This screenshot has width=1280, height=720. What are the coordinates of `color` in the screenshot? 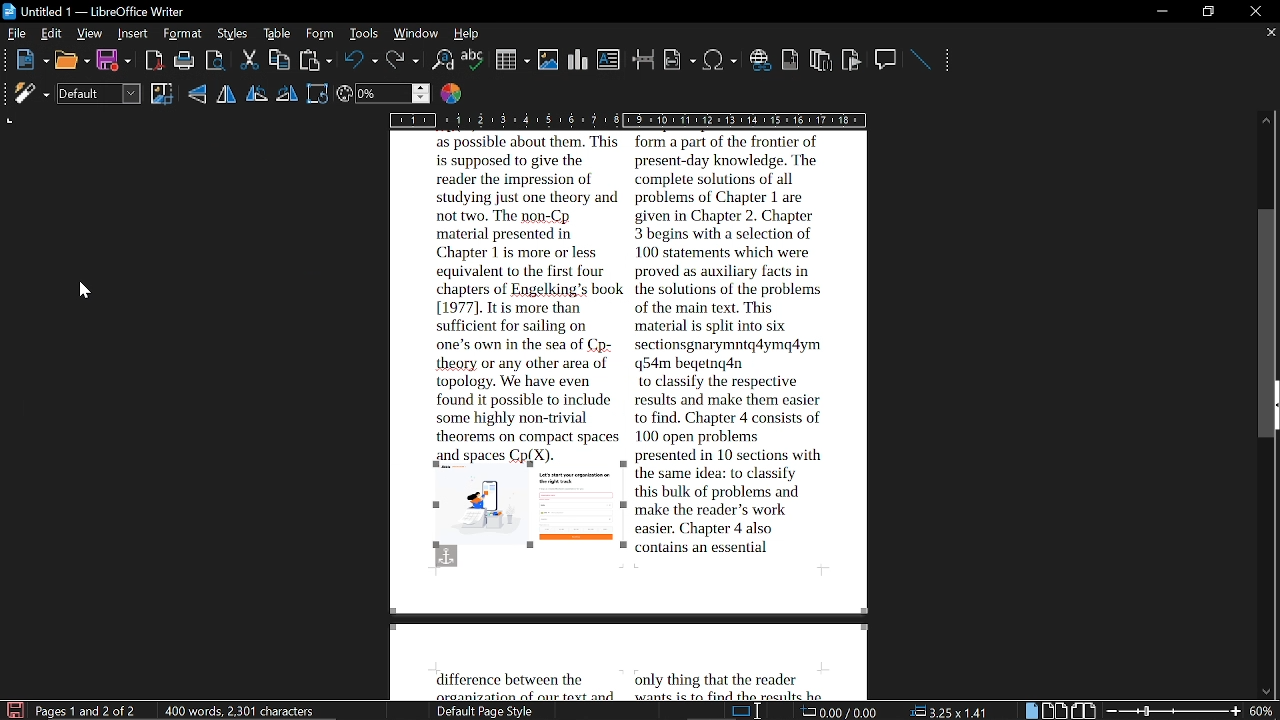 It's located at (454, 94).